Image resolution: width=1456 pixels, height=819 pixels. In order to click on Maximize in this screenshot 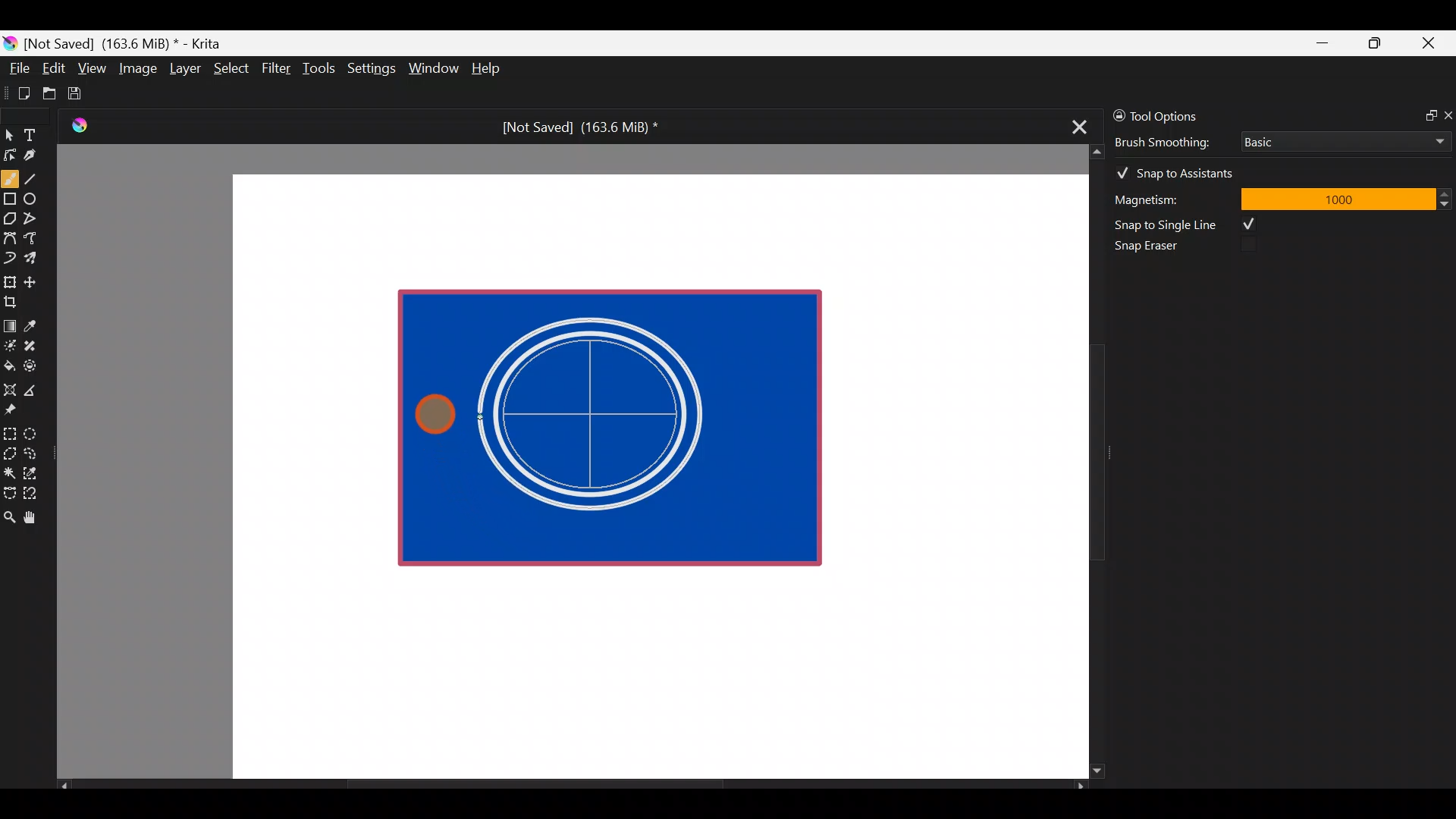, I will do `click(1374, 42)`.